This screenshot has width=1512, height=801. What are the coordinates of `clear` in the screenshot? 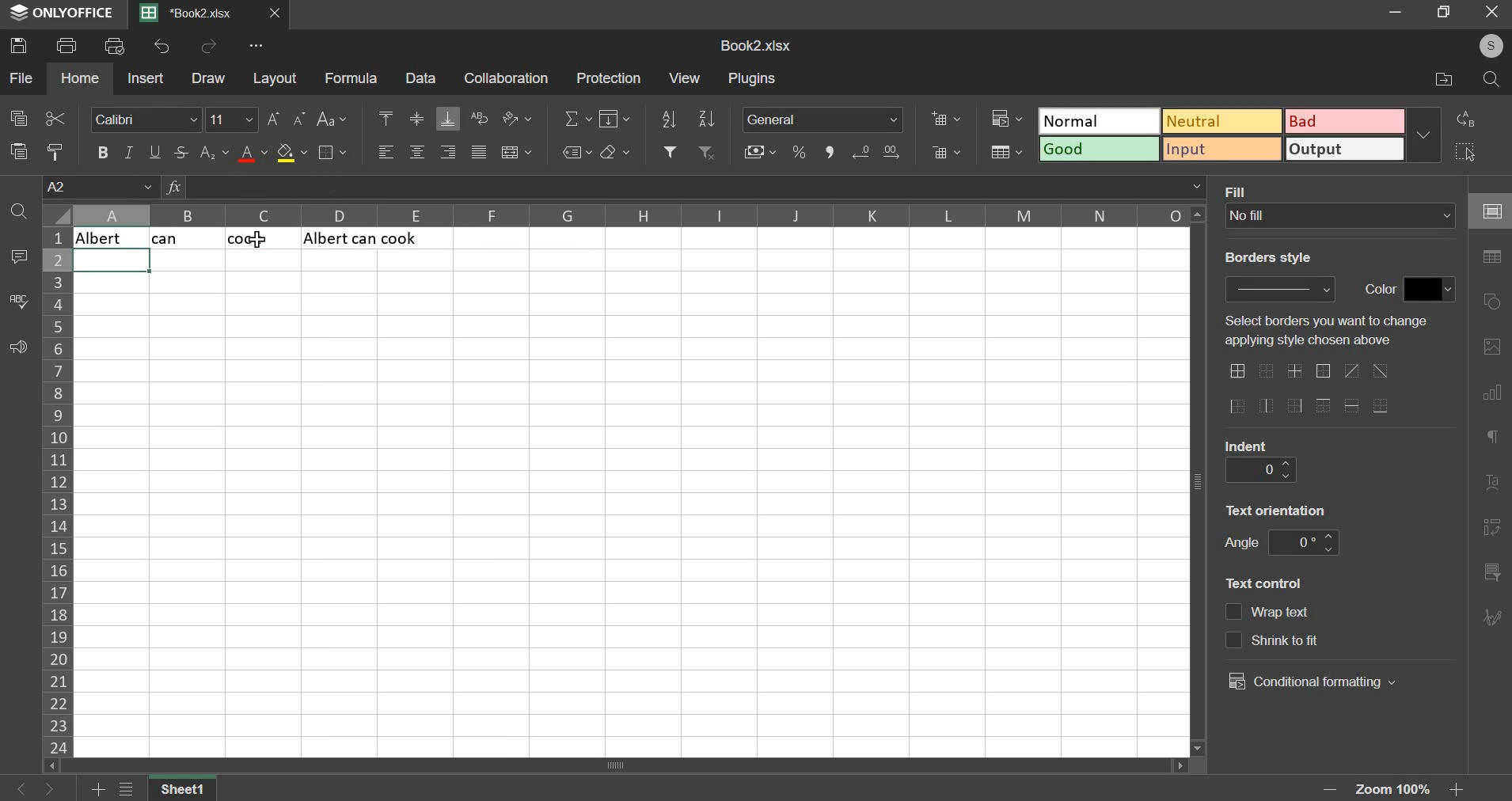 It's located at (615, 152).